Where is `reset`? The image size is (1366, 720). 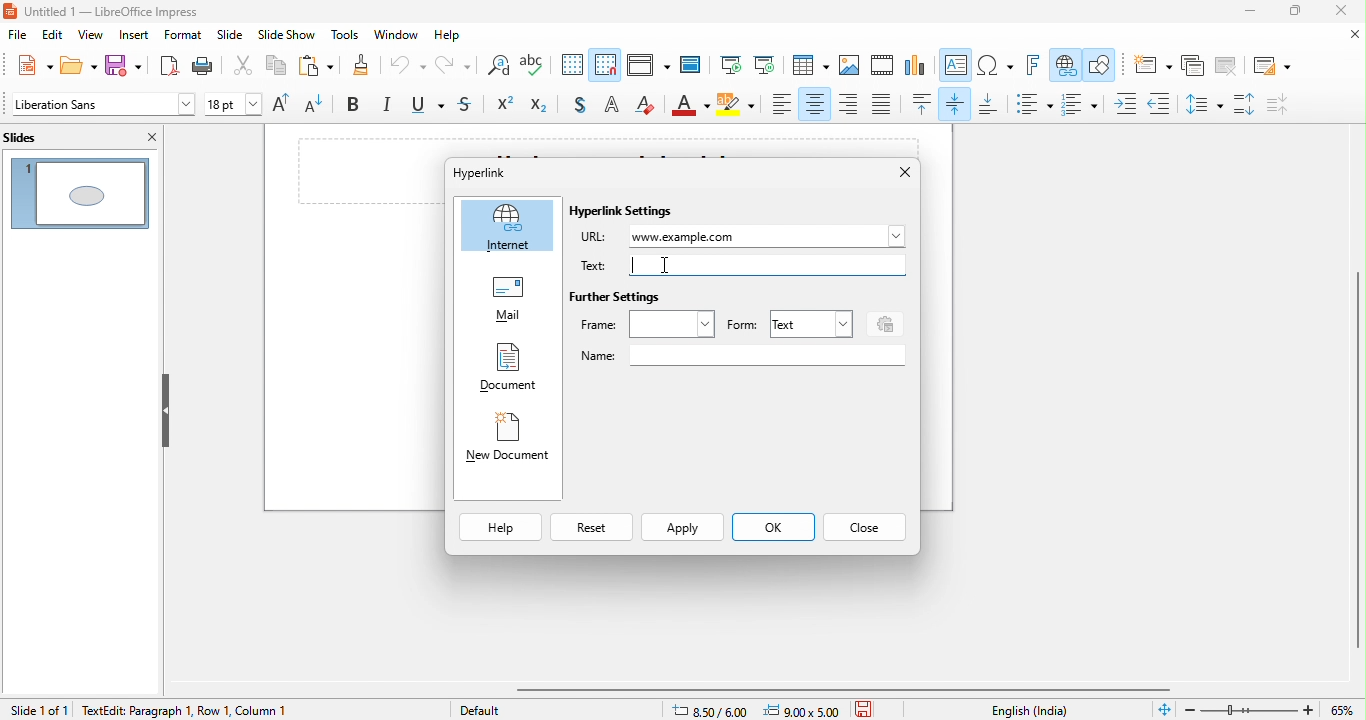 reset is located at coordinates (590, 529).